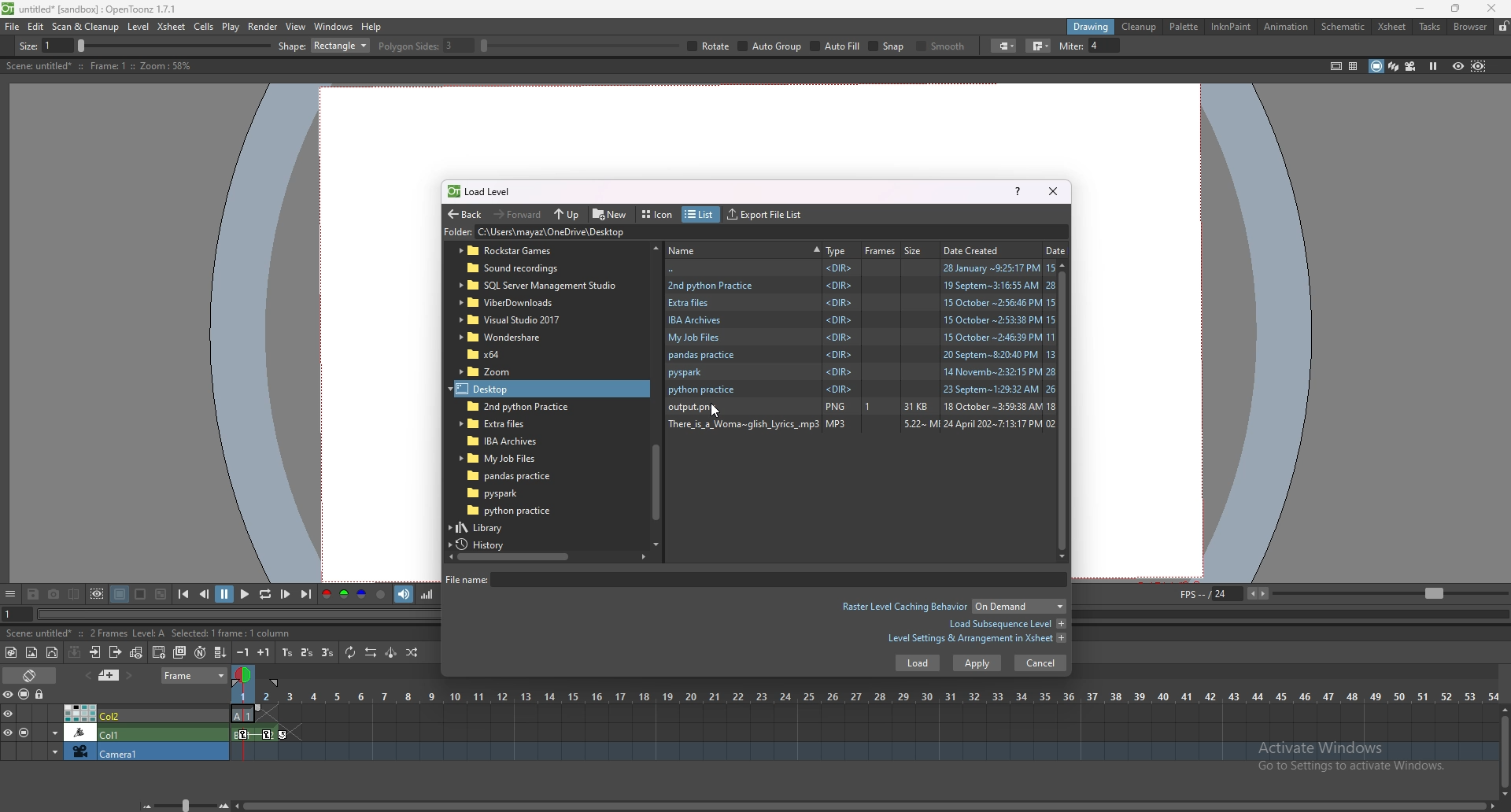  I want to click on windows, so click(333, 27).